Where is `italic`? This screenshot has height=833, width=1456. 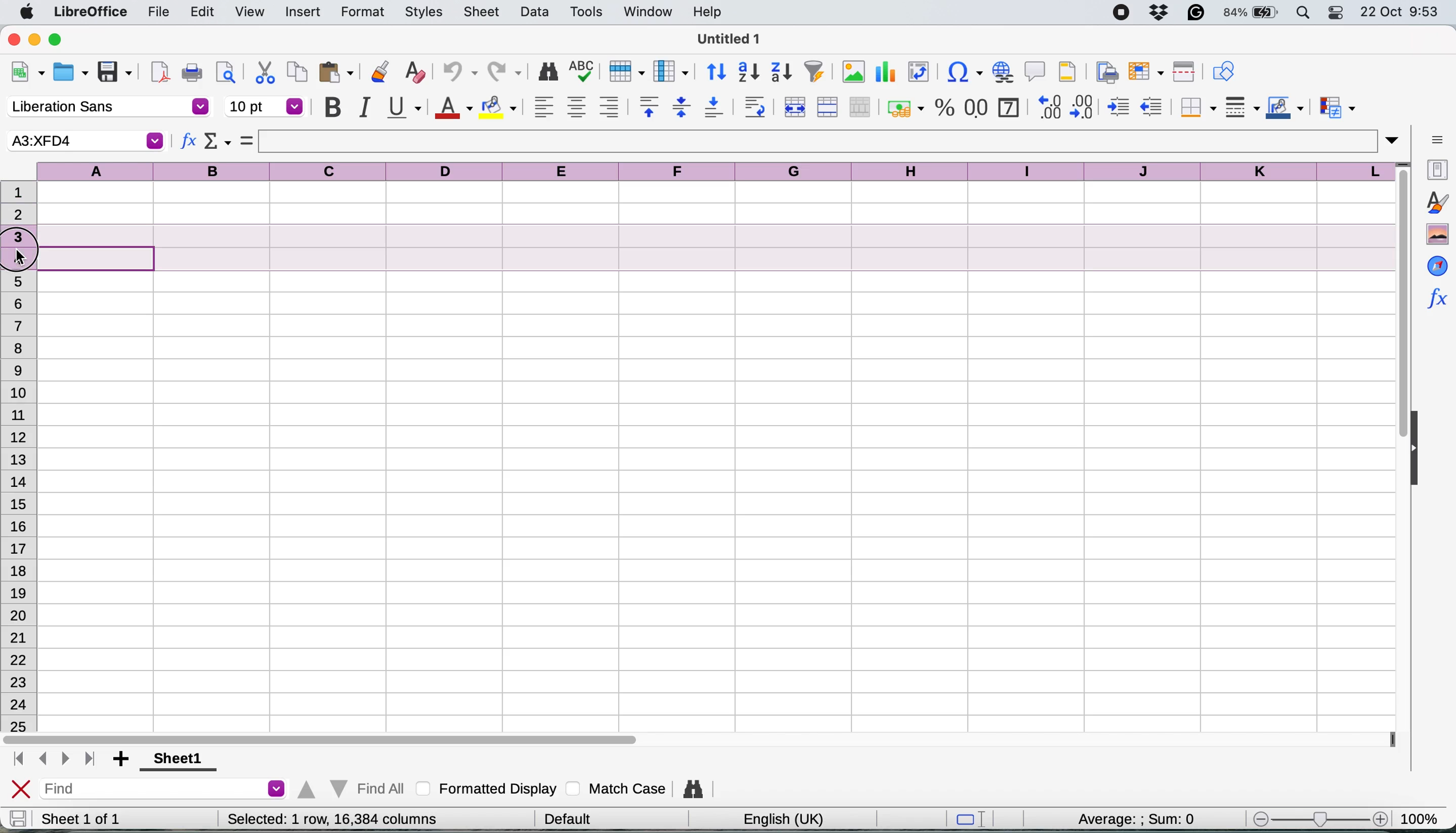
italic is located at coordinates (363, 107).